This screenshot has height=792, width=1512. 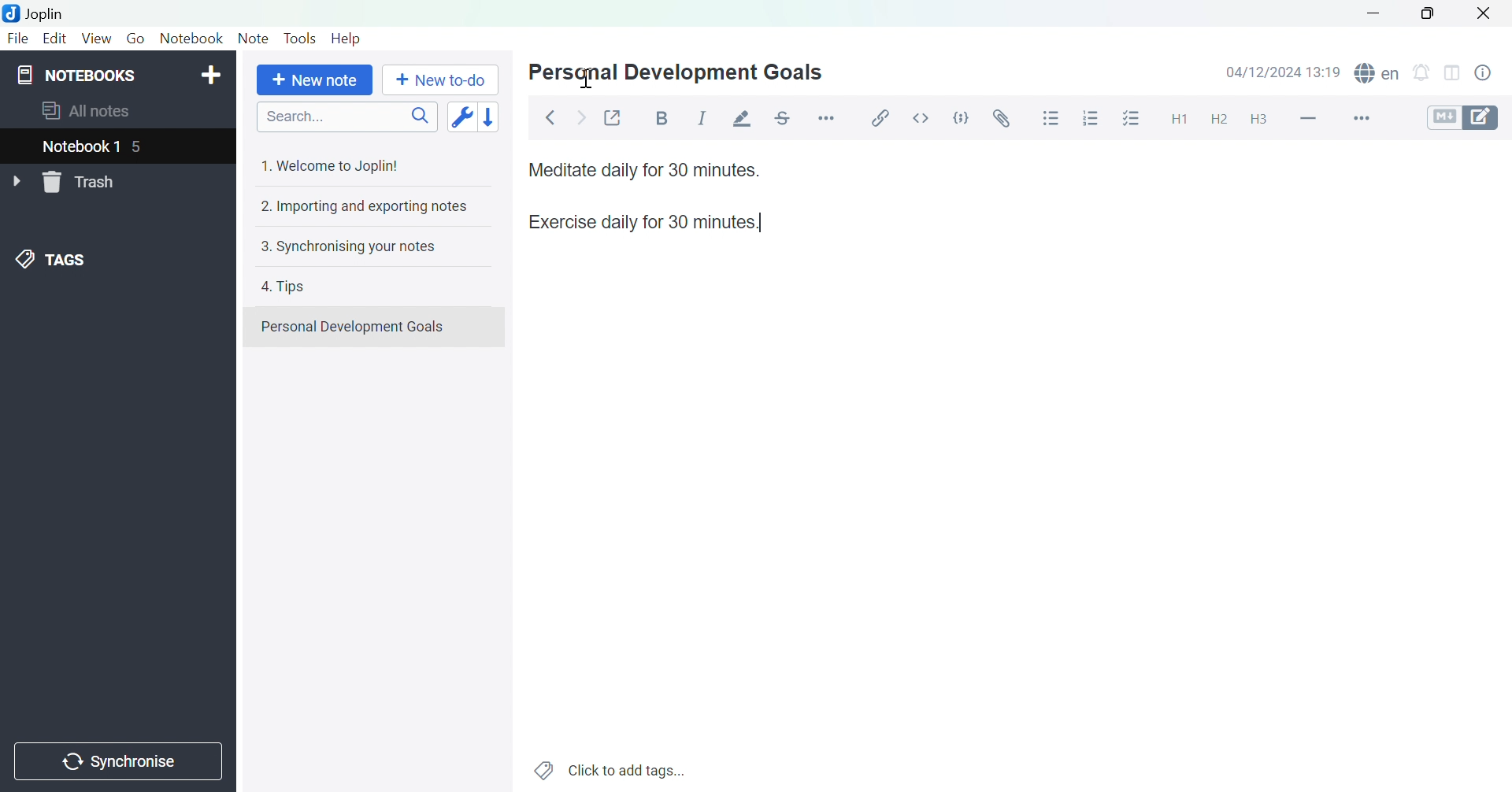 I want to click on Help, so click(x=346, y=39).